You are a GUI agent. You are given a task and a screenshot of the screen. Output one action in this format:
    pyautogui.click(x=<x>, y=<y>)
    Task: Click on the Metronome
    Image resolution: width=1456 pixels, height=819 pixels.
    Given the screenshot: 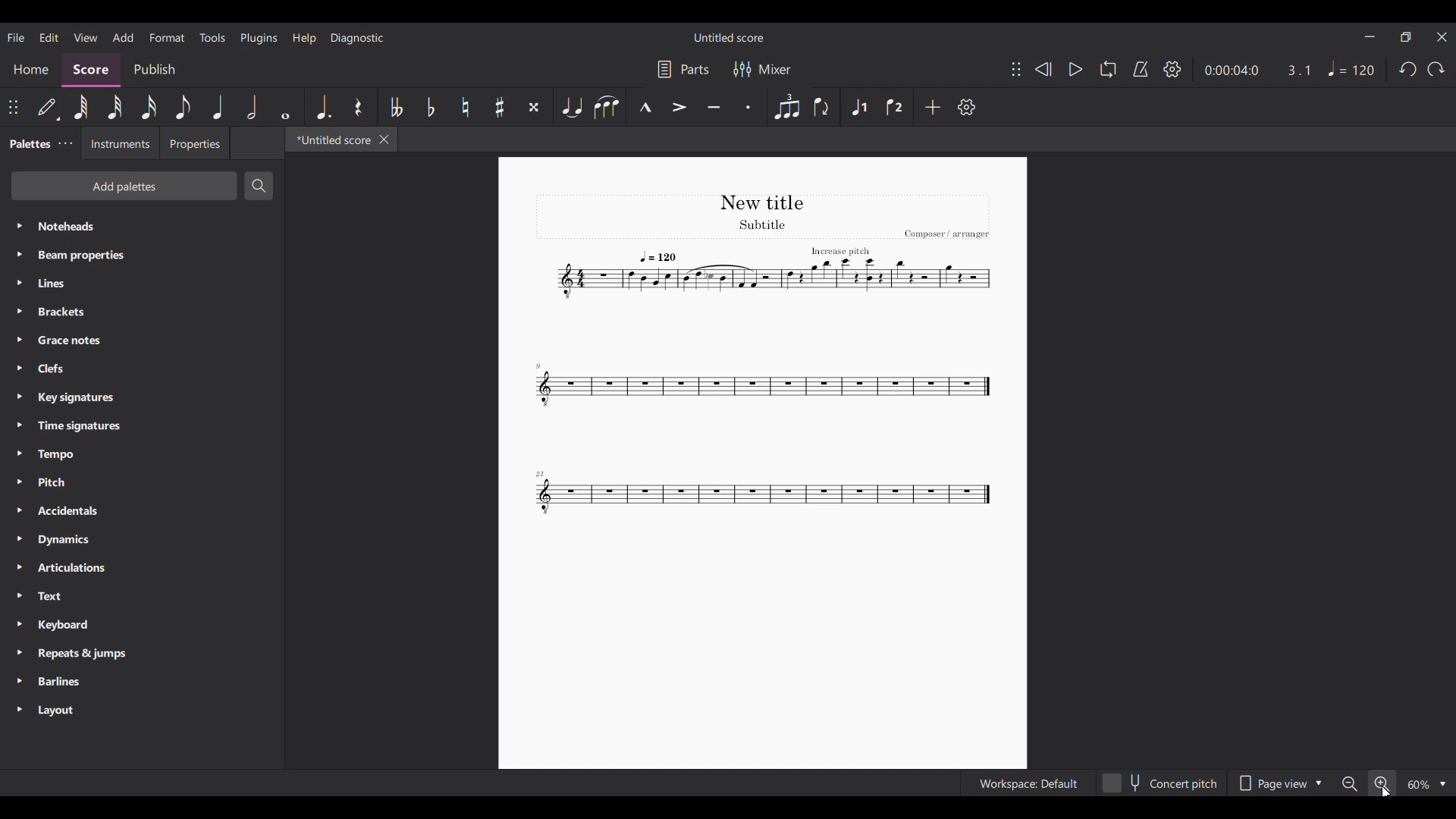 What is the action you would take?
    pyautogui.click(x=1141, y=70)
    